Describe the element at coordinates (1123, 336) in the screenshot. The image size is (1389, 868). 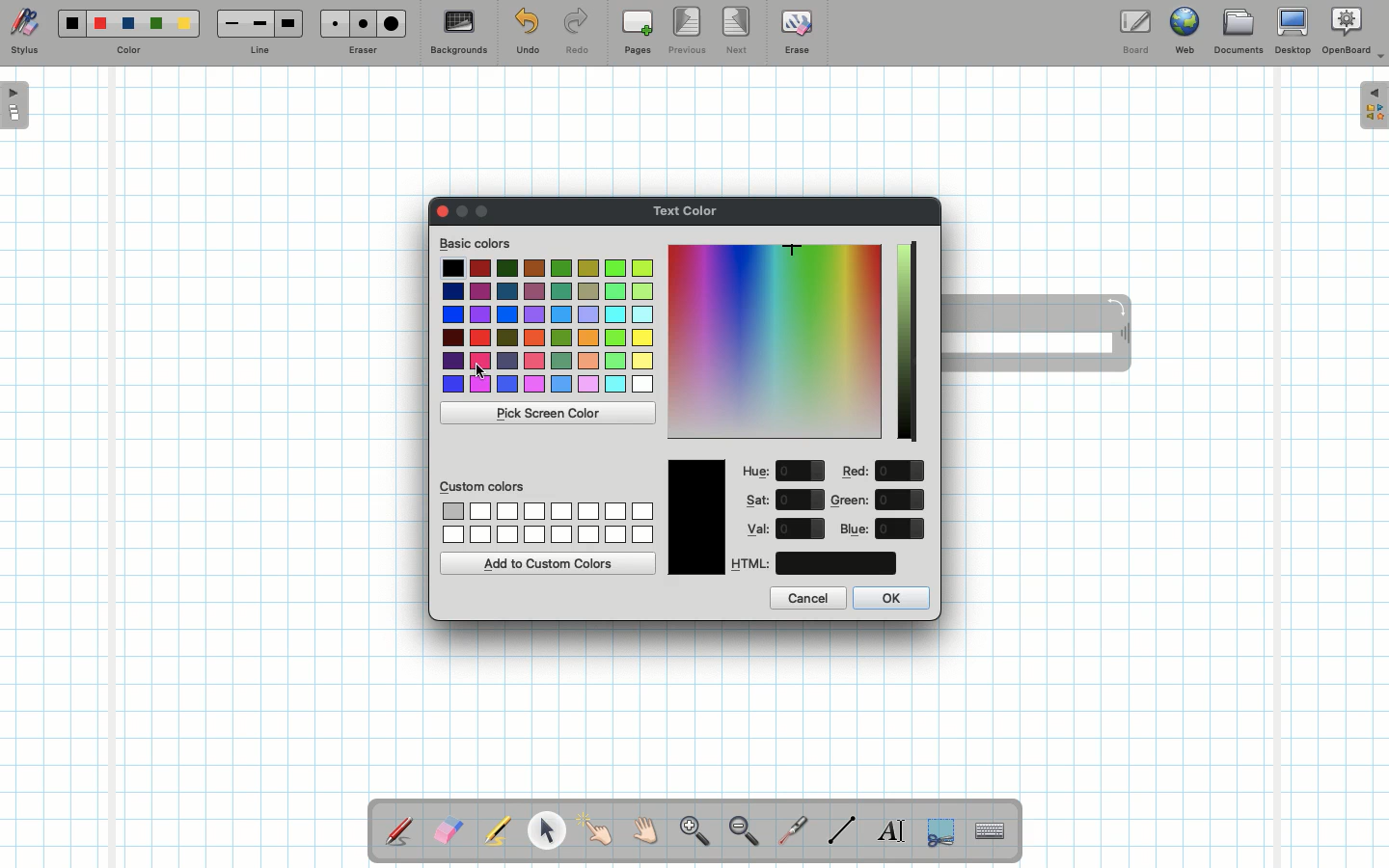
I see `Move` at that location.